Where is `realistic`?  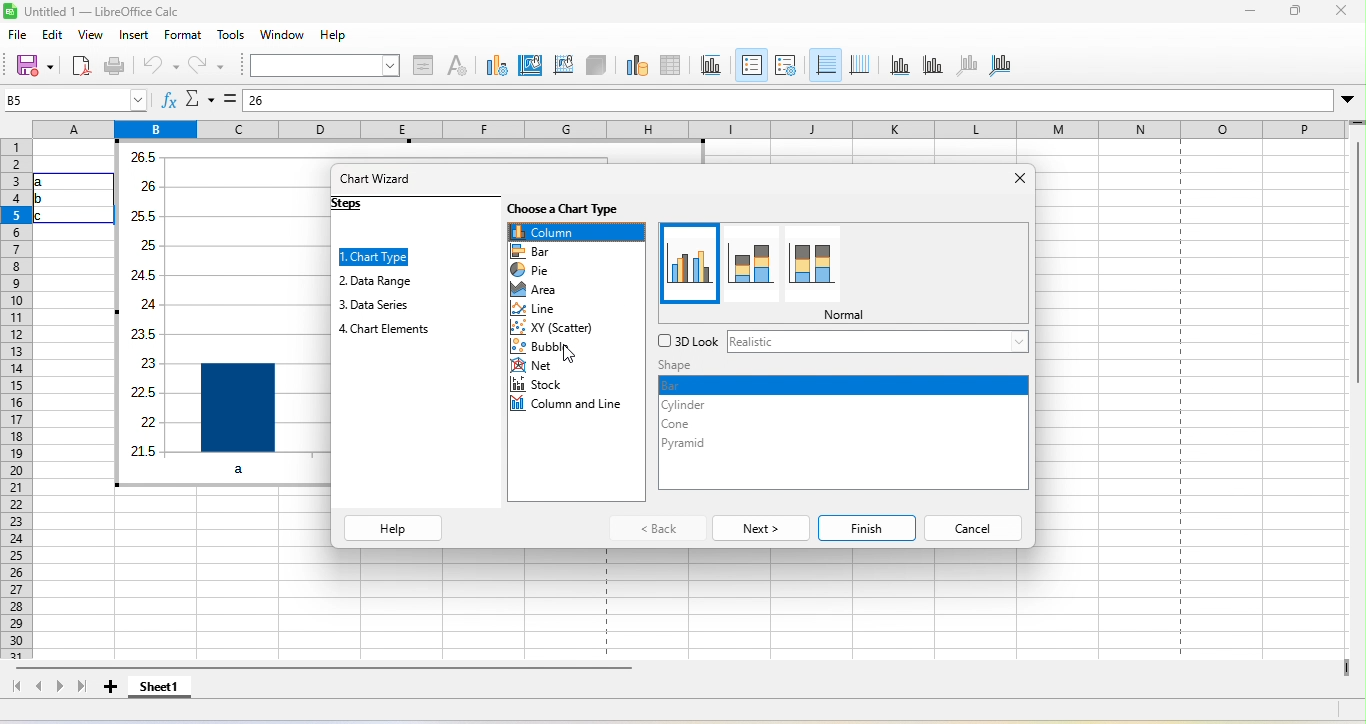 realistic is located at coordinates (876, 344).